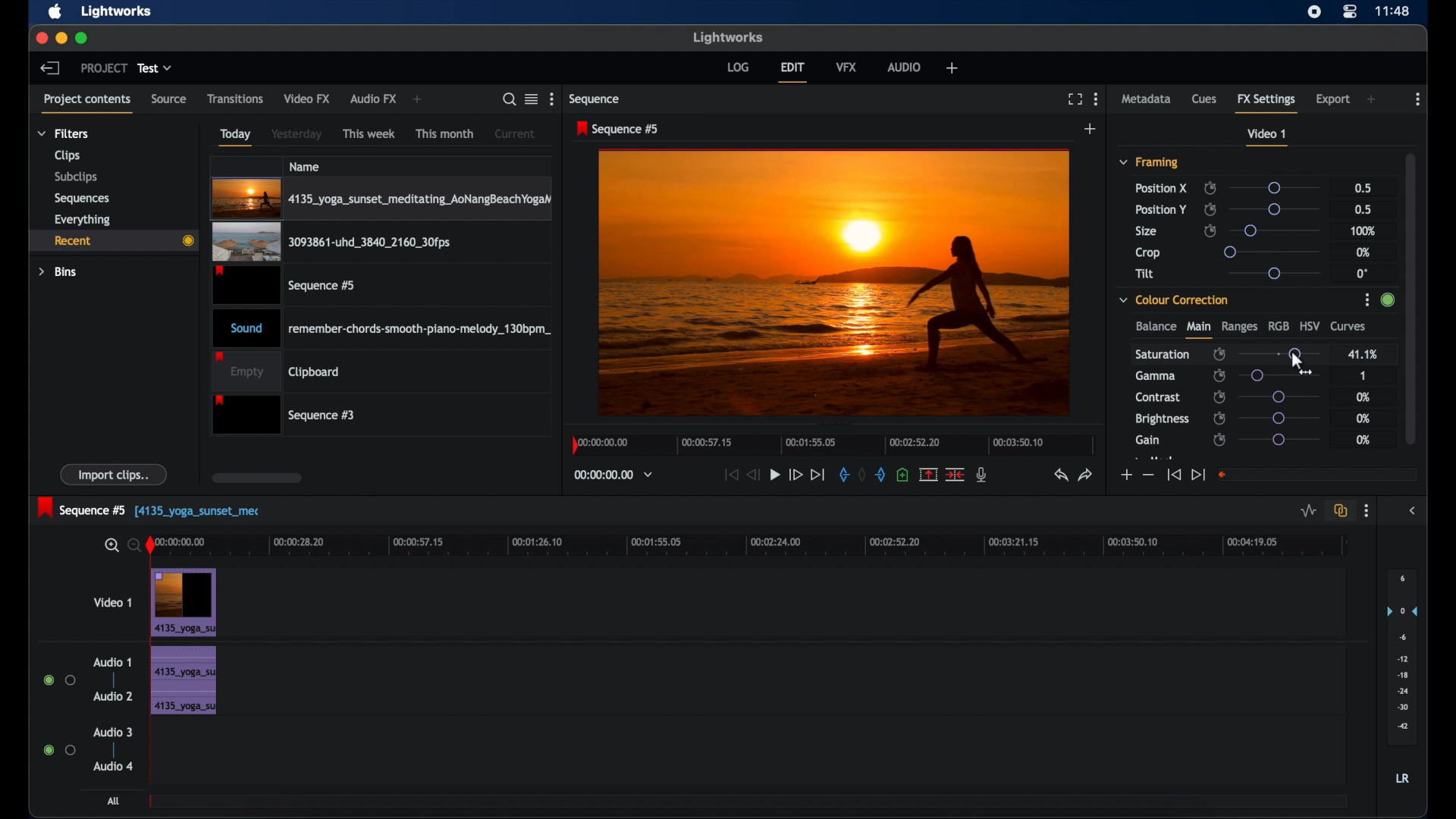  I want to click on search, so click(510, 99).